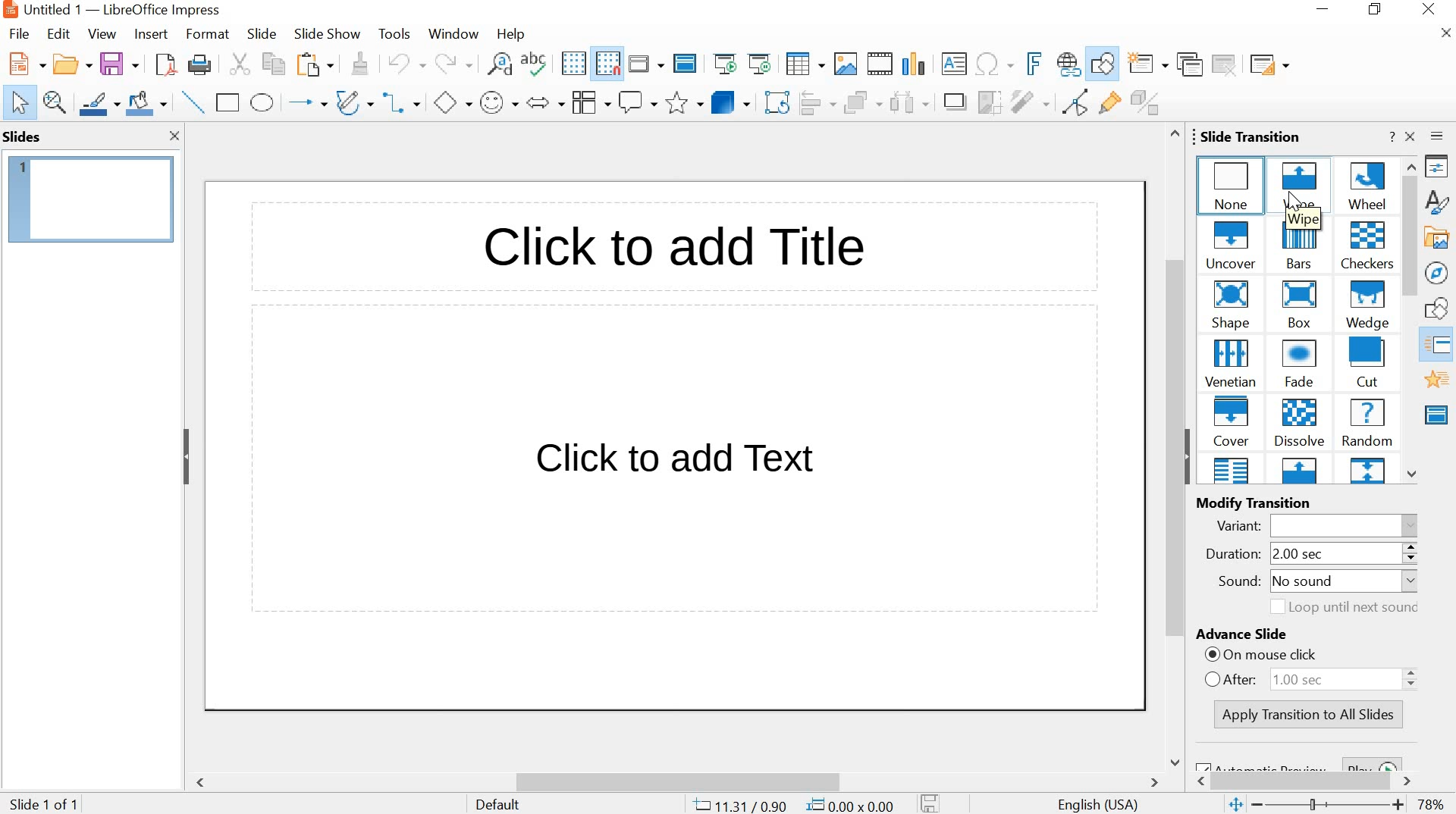  Describe the element at coordinates (1314, 805) in the screenshot. I see `ZOOM OUT OR ZOOM IN` at that location.